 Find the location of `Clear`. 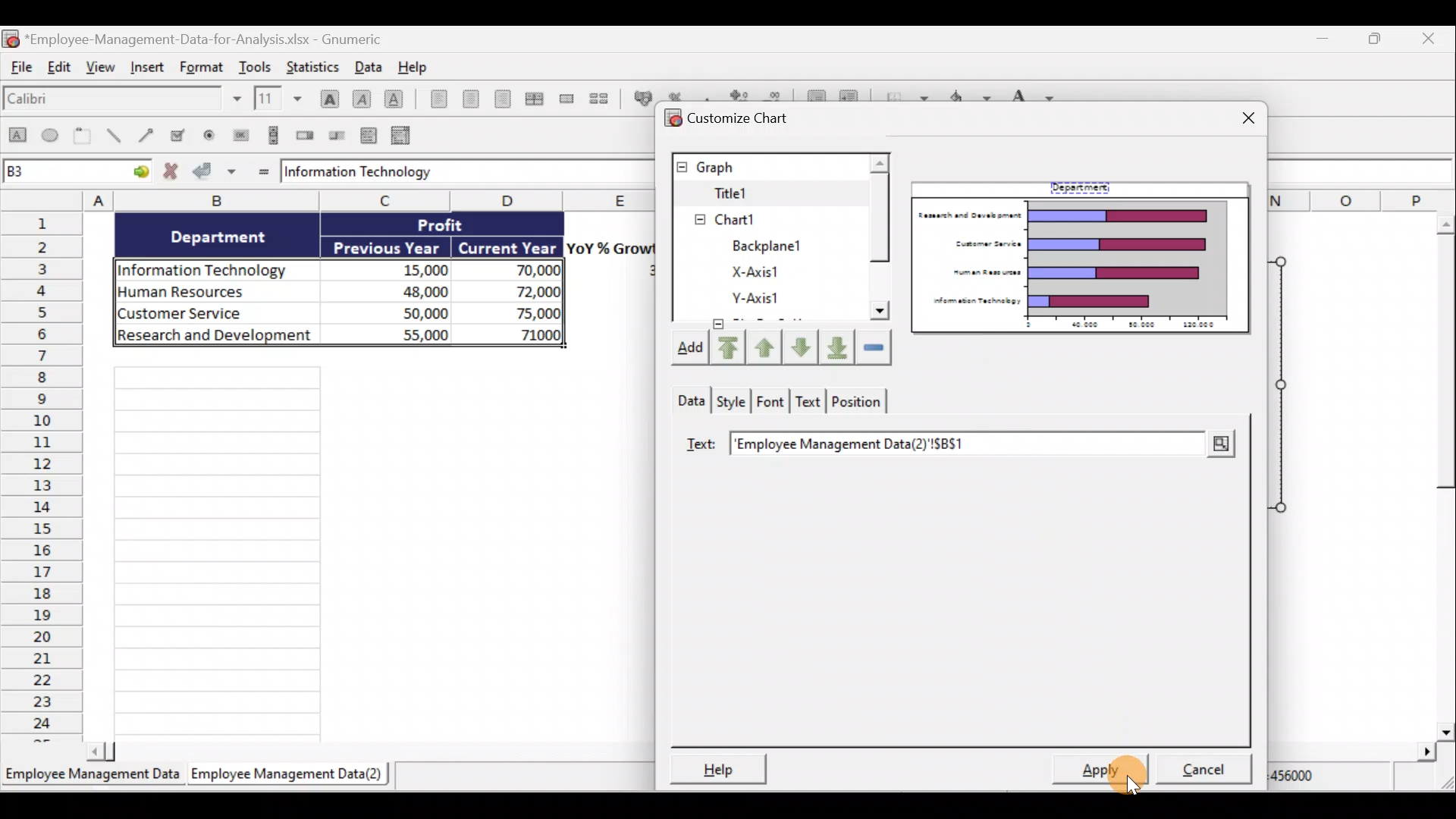

Clear is located at coordinates (877, 349).